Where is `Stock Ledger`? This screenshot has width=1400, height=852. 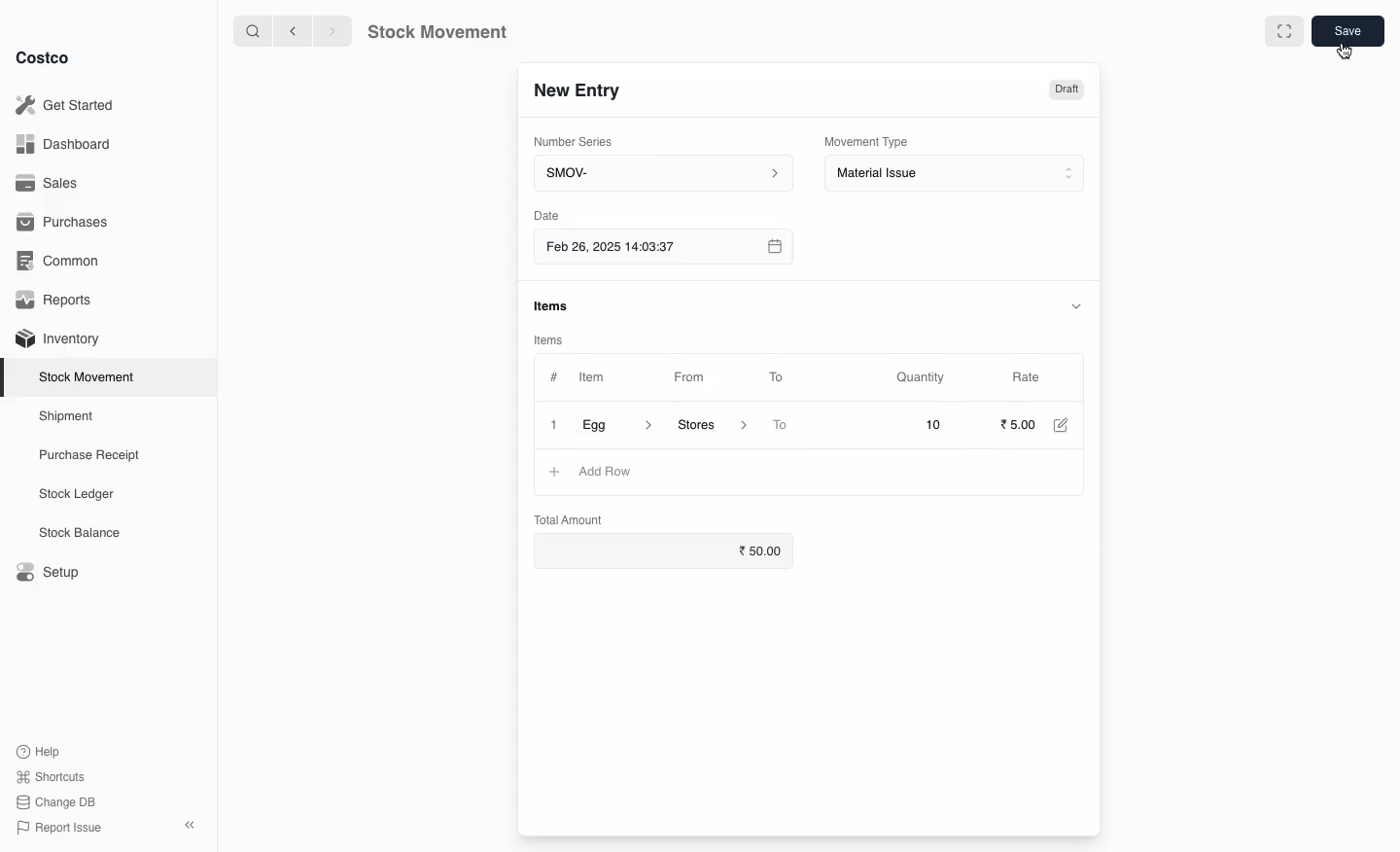 Stock Ledger is located at coordinates (77, 496).